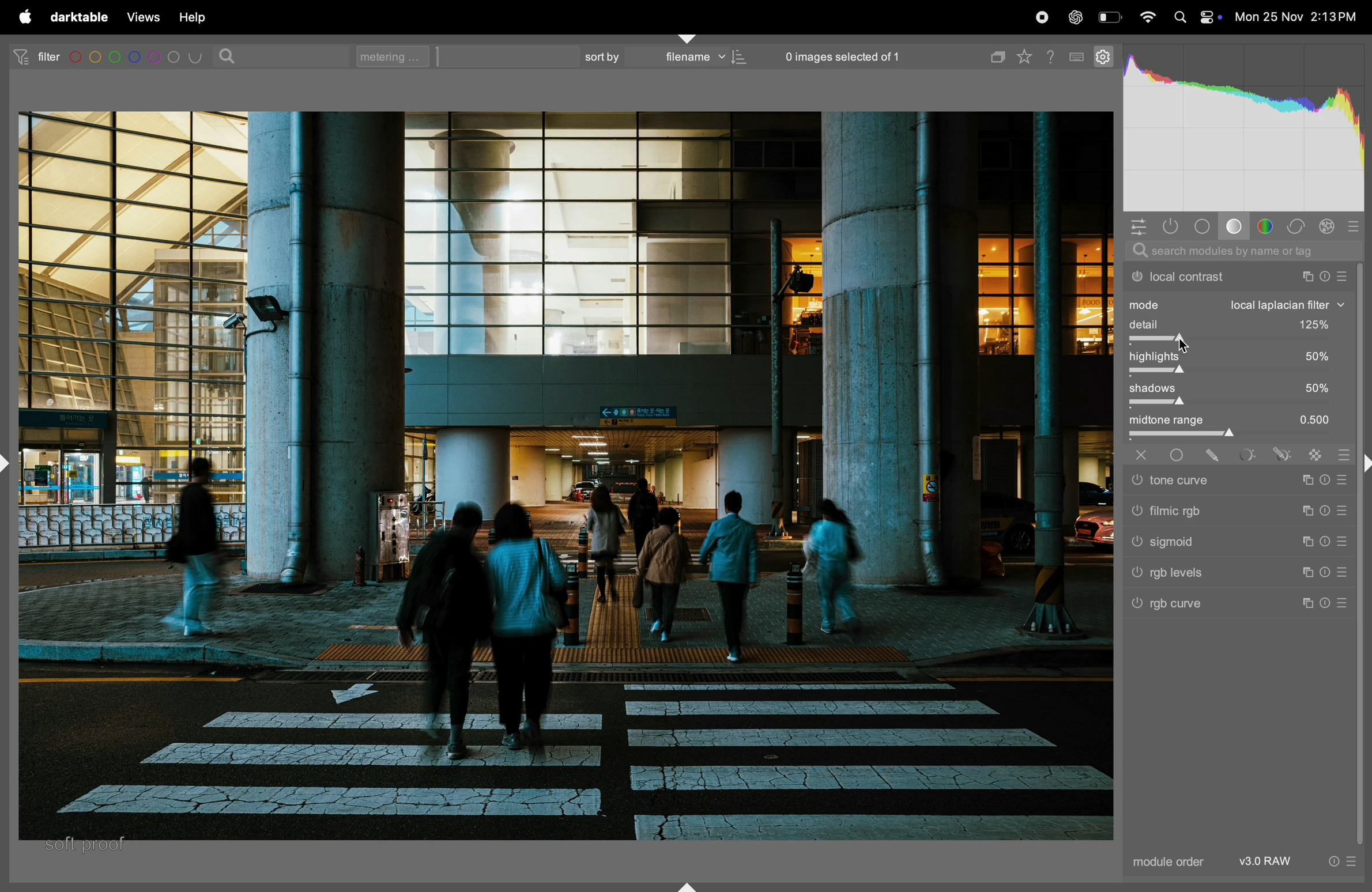  What do you see at coordinates (1075, 16) in the screenshot?
I see `chatgpt` at bounding box center [1075, 16].